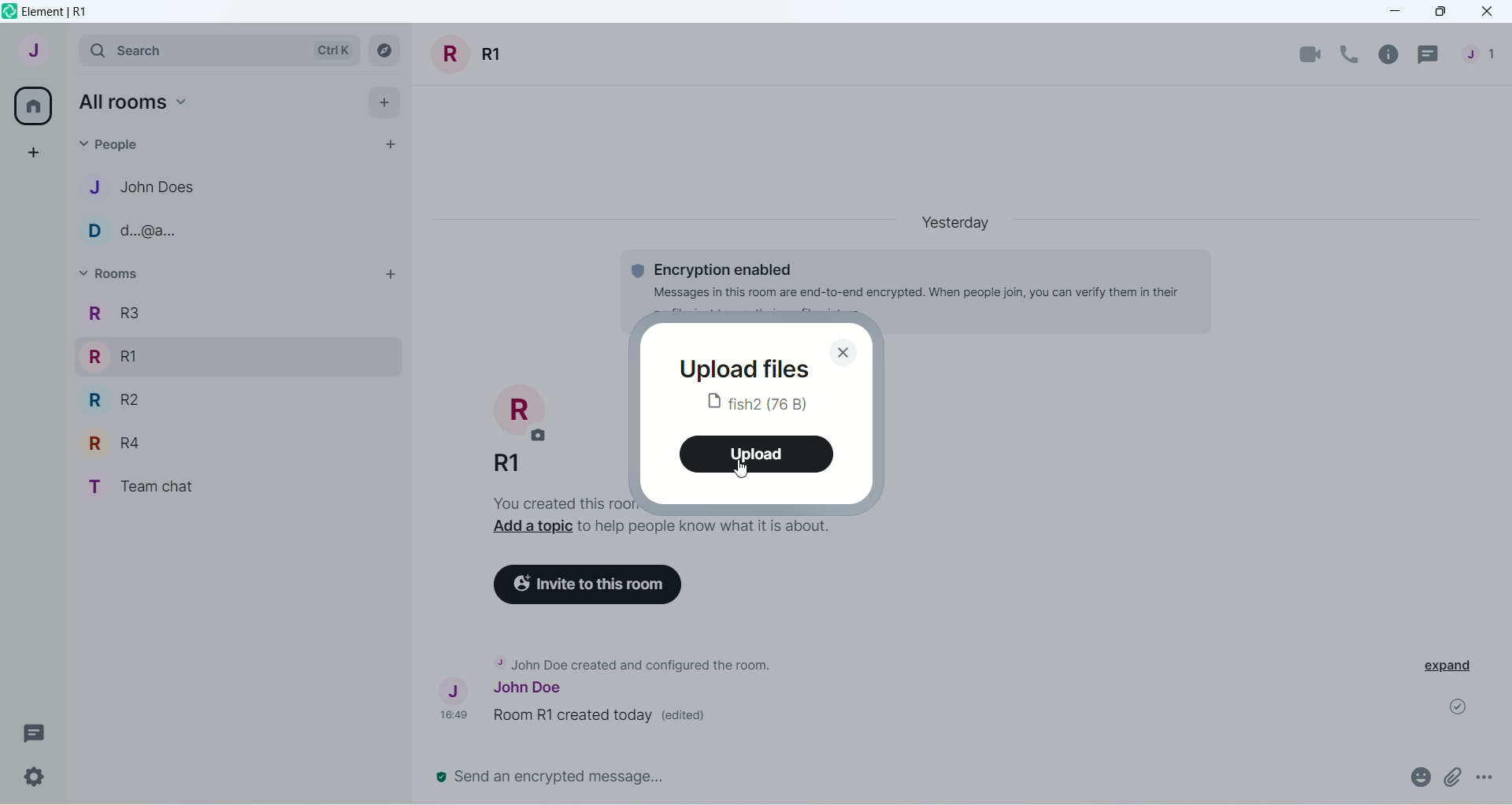  Describe the element at coordinates (1303, 57) in the screenshot. I see `video call` at that location.